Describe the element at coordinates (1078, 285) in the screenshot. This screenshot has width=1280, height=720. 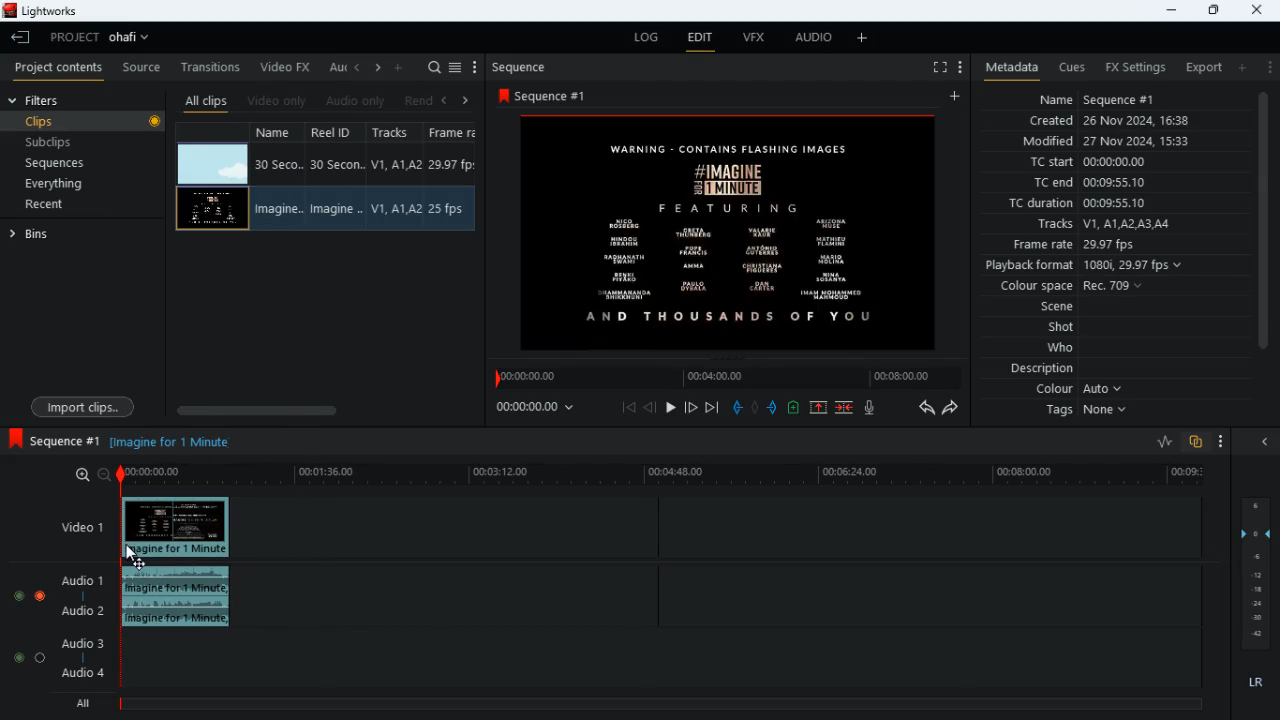
I see `colour space` at that location.